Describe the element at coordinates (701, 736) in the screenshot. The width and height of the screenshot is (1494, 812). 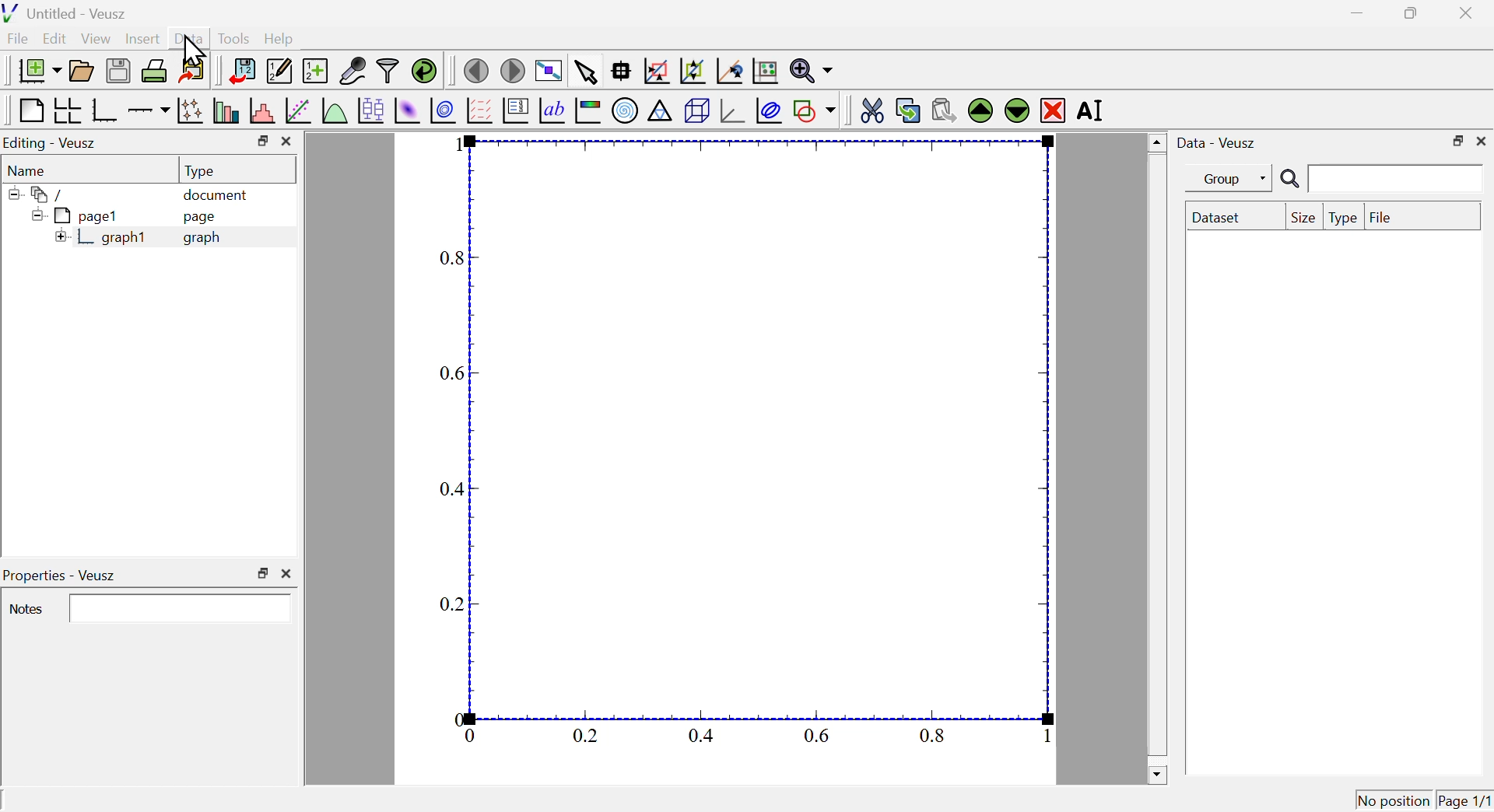
I see `0.4` at that location.